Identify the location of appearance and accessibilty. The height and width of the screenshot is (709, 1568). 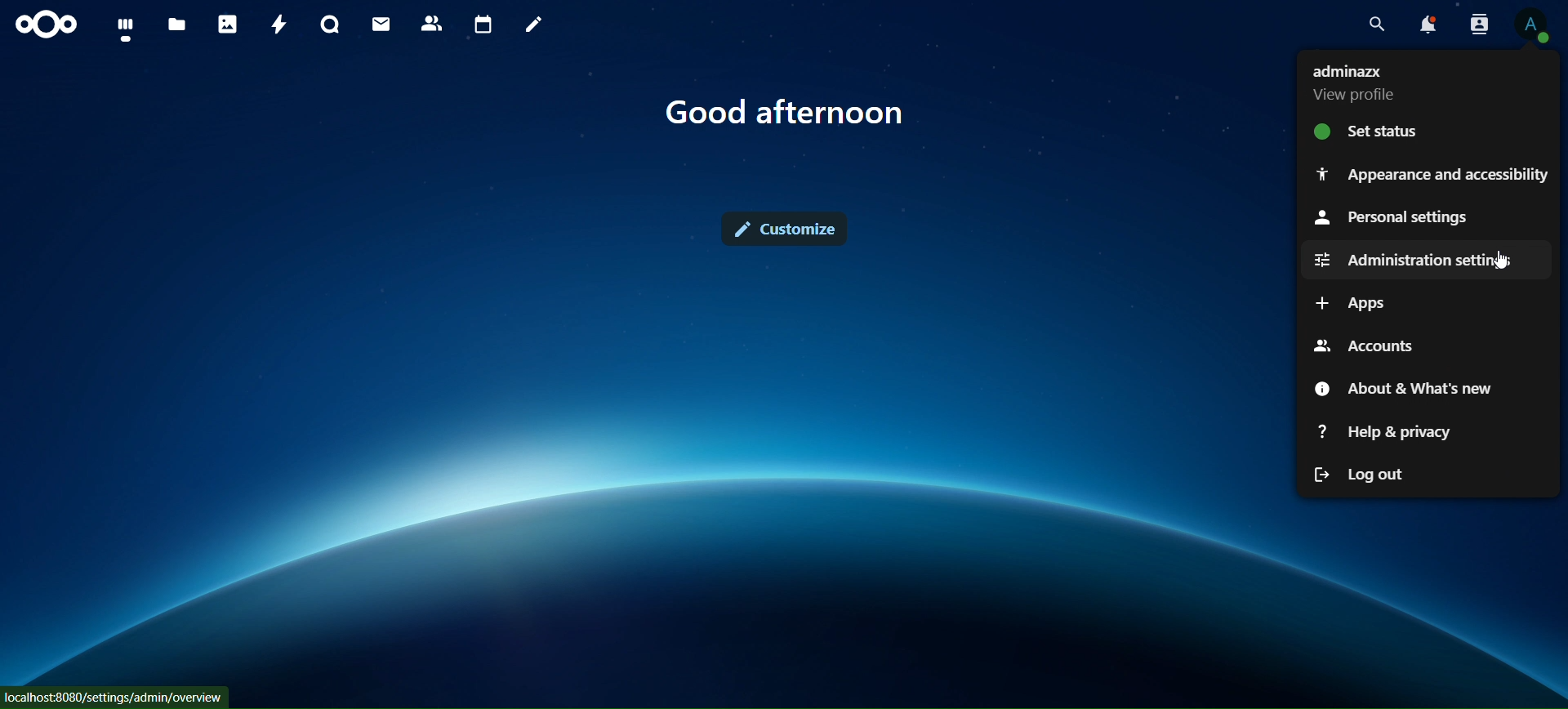
(1431, 174).